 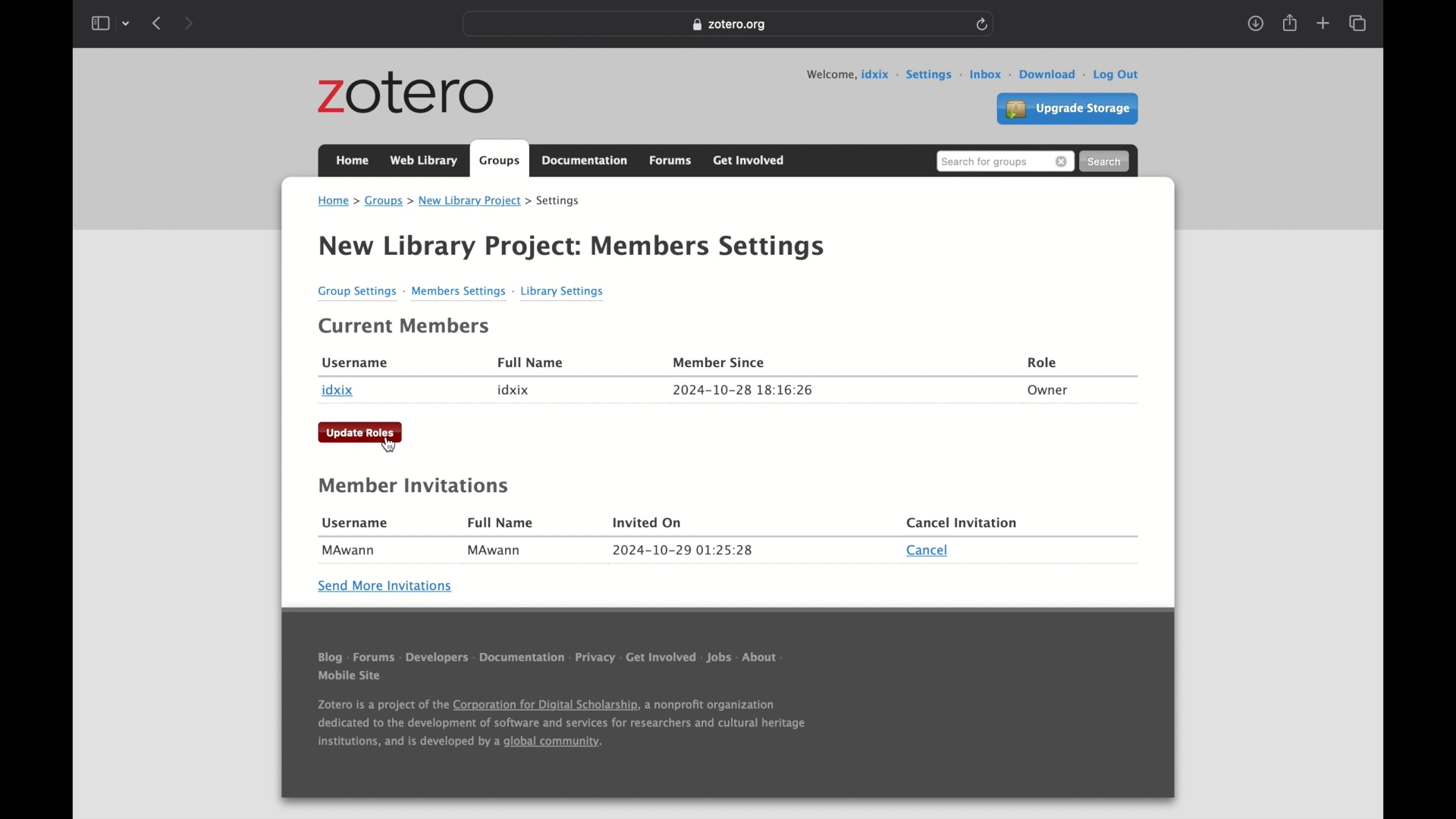 What do you see at coordinates (748, 158) in the screenshot?
I see `get involved` at bounding box center [748, 158].